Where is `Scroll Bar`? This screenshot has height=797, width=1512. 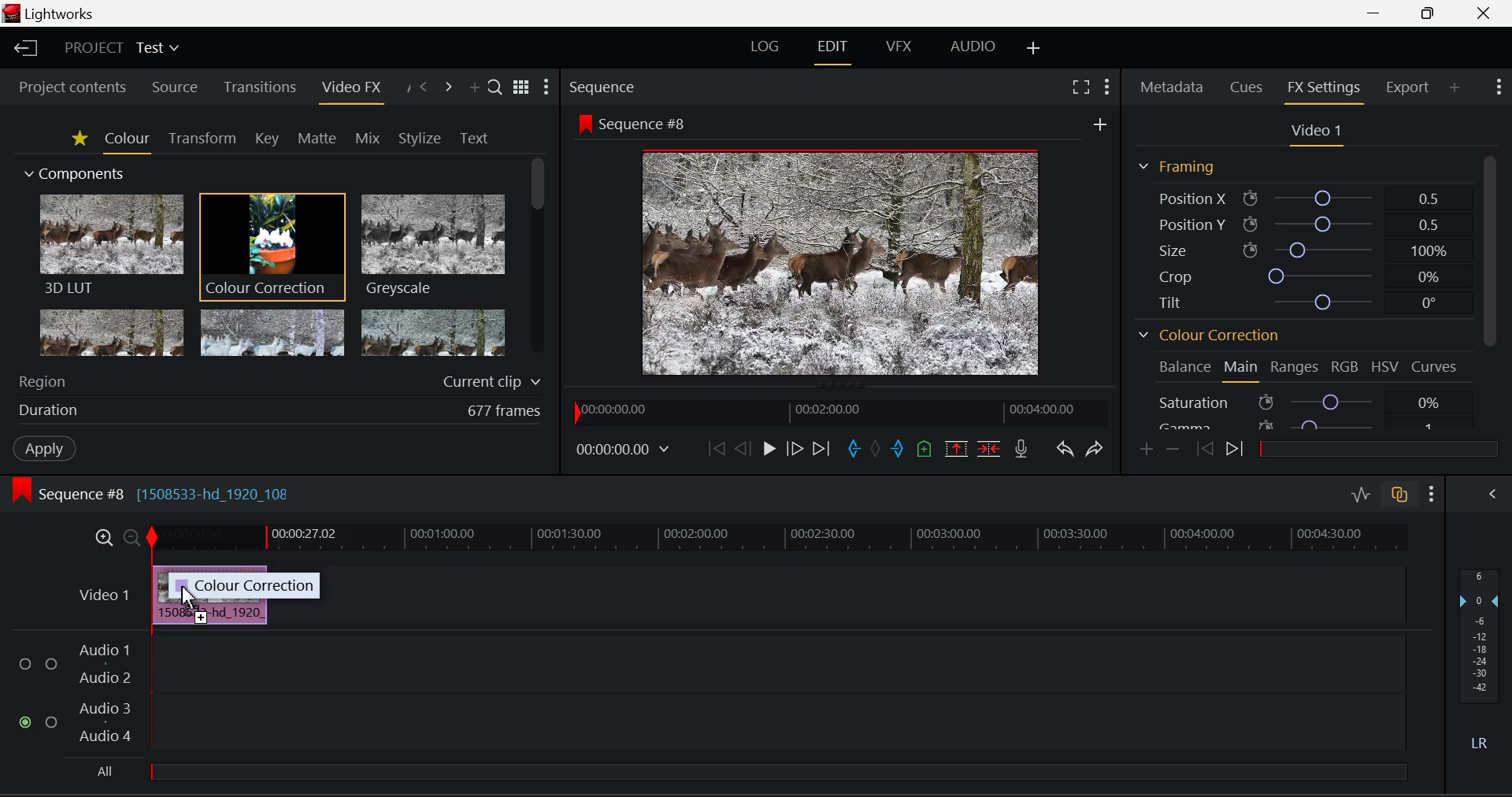
Scroll Bar is located at coordinates (539, 262).